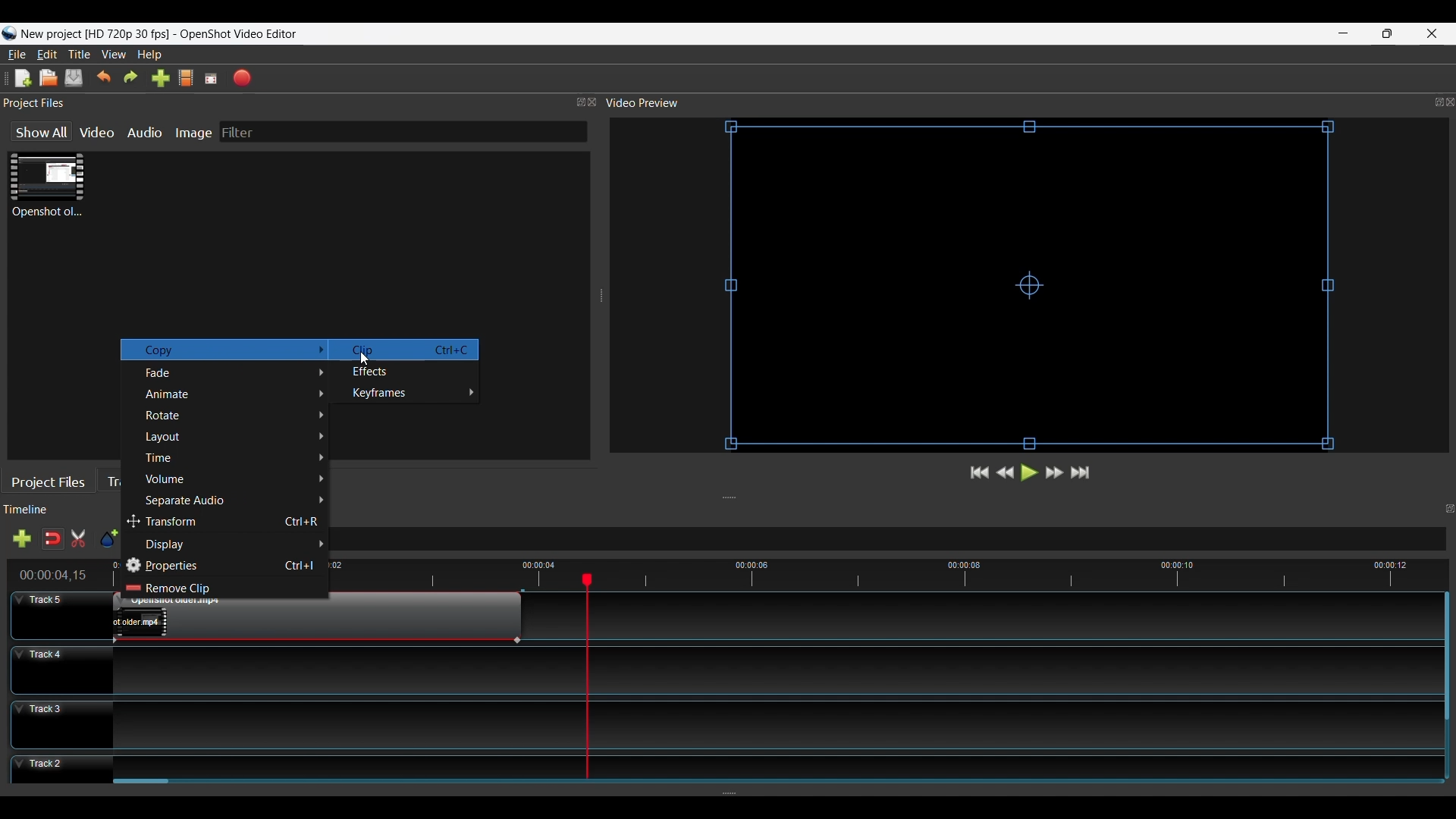  What do you see at coordinates (1430, 33) in the screenshot?
I see `Close` at bounding box center [1430, 33].